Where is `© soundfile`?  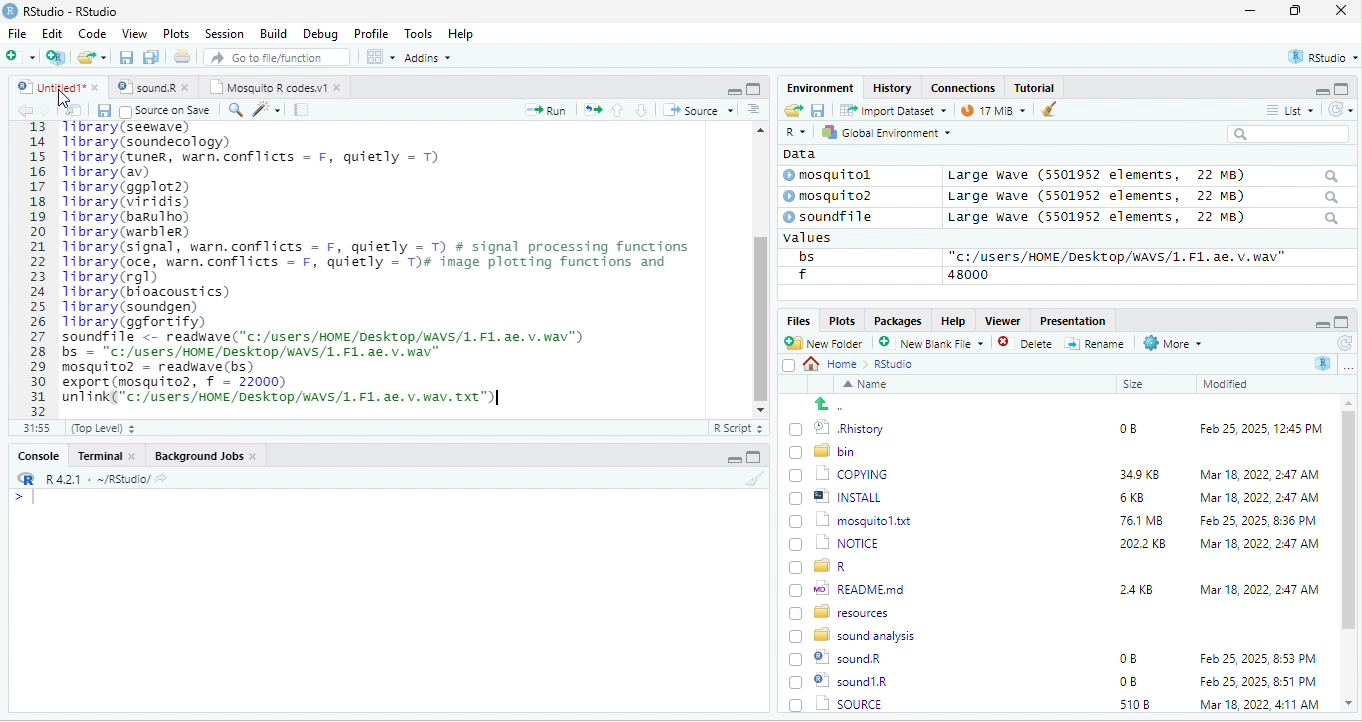
© soundfile is located at coordinates (837, 216).